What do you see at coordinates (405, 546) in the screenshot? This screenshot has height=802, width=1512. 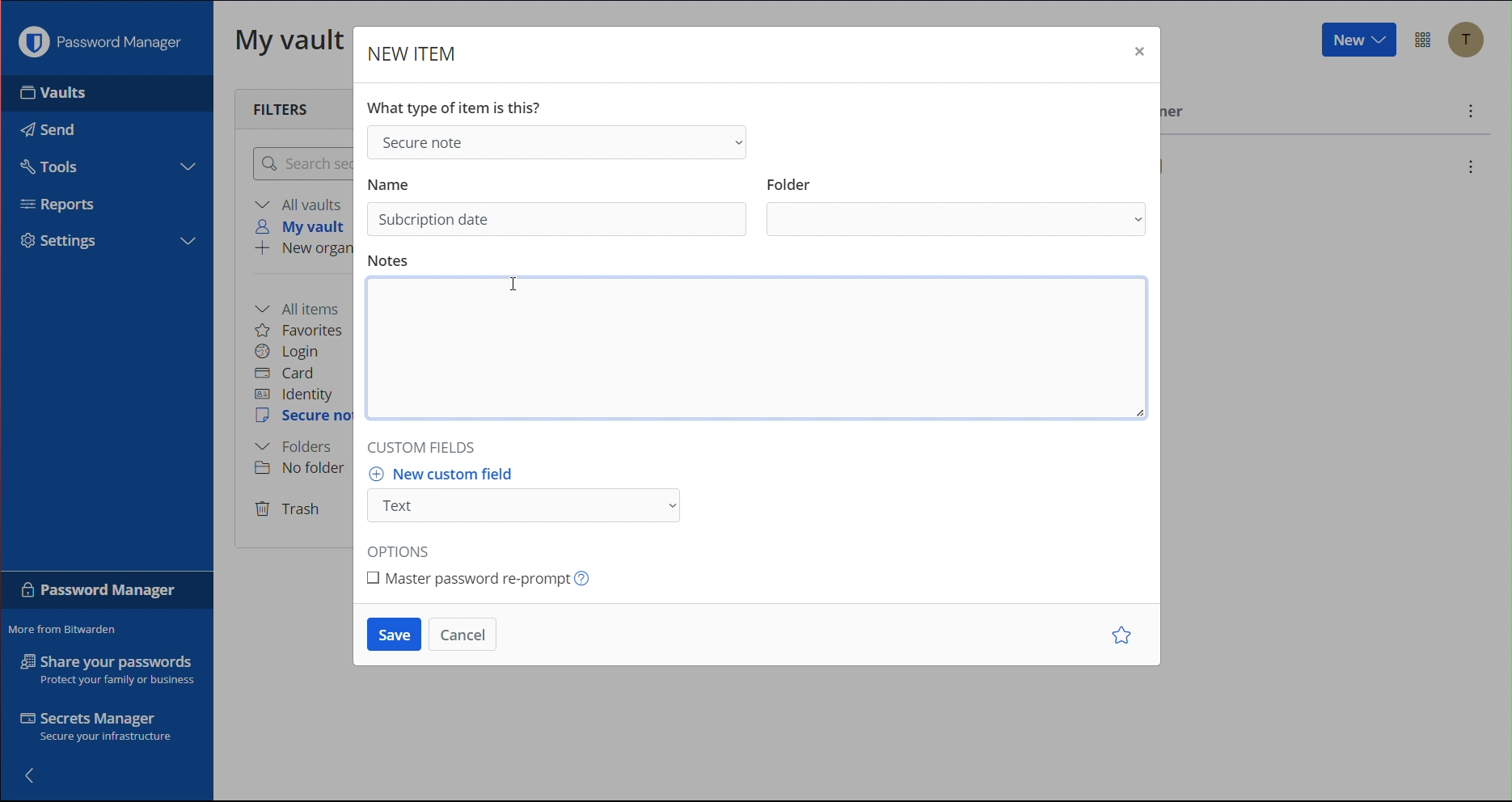 I see `Options` at bounding box center [405, 546].